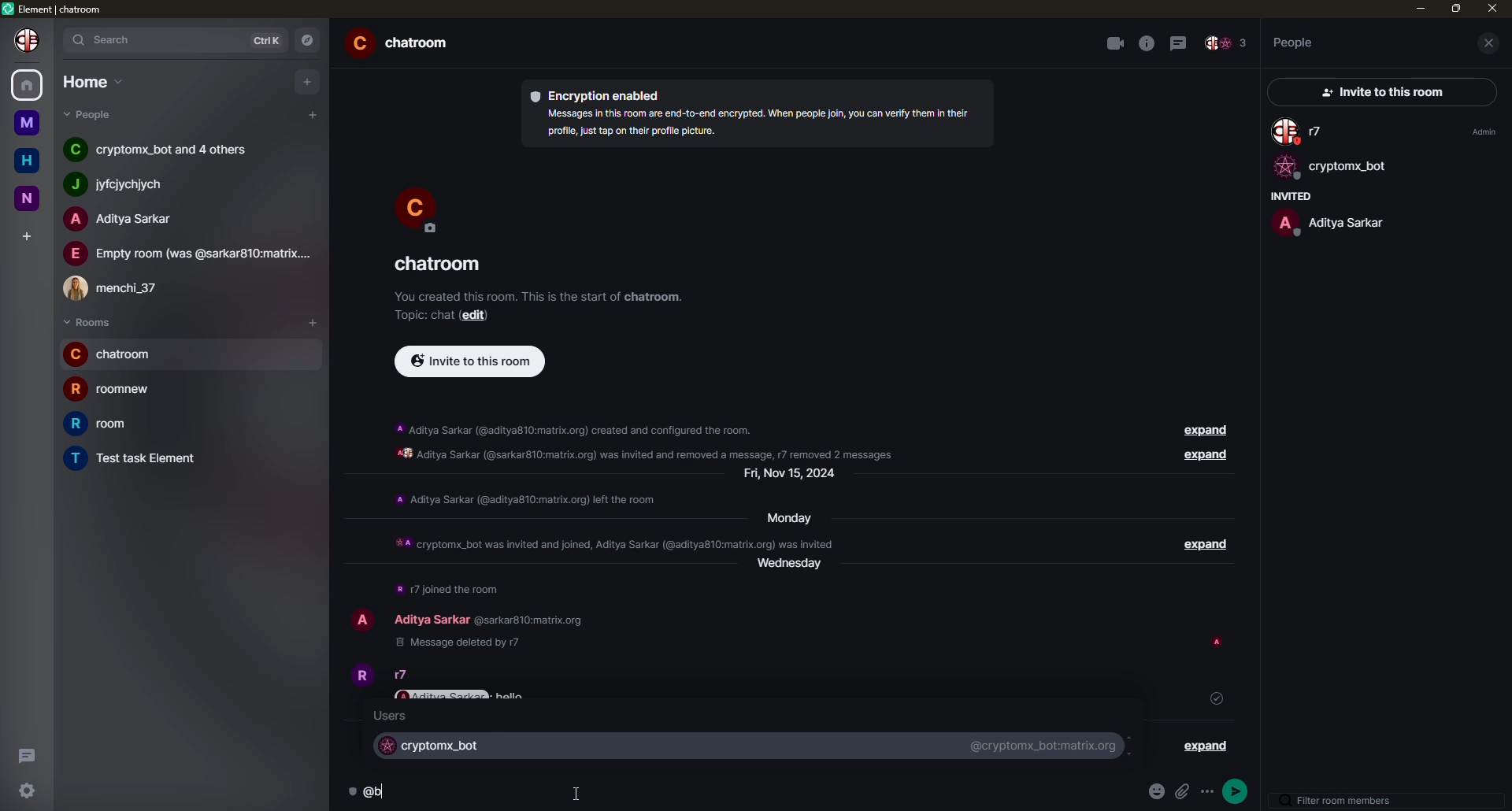 This screenshot has height=811, width=1512. Describe the element at coordinates (1492, 9) in the screenshot. I see `close` at that location.